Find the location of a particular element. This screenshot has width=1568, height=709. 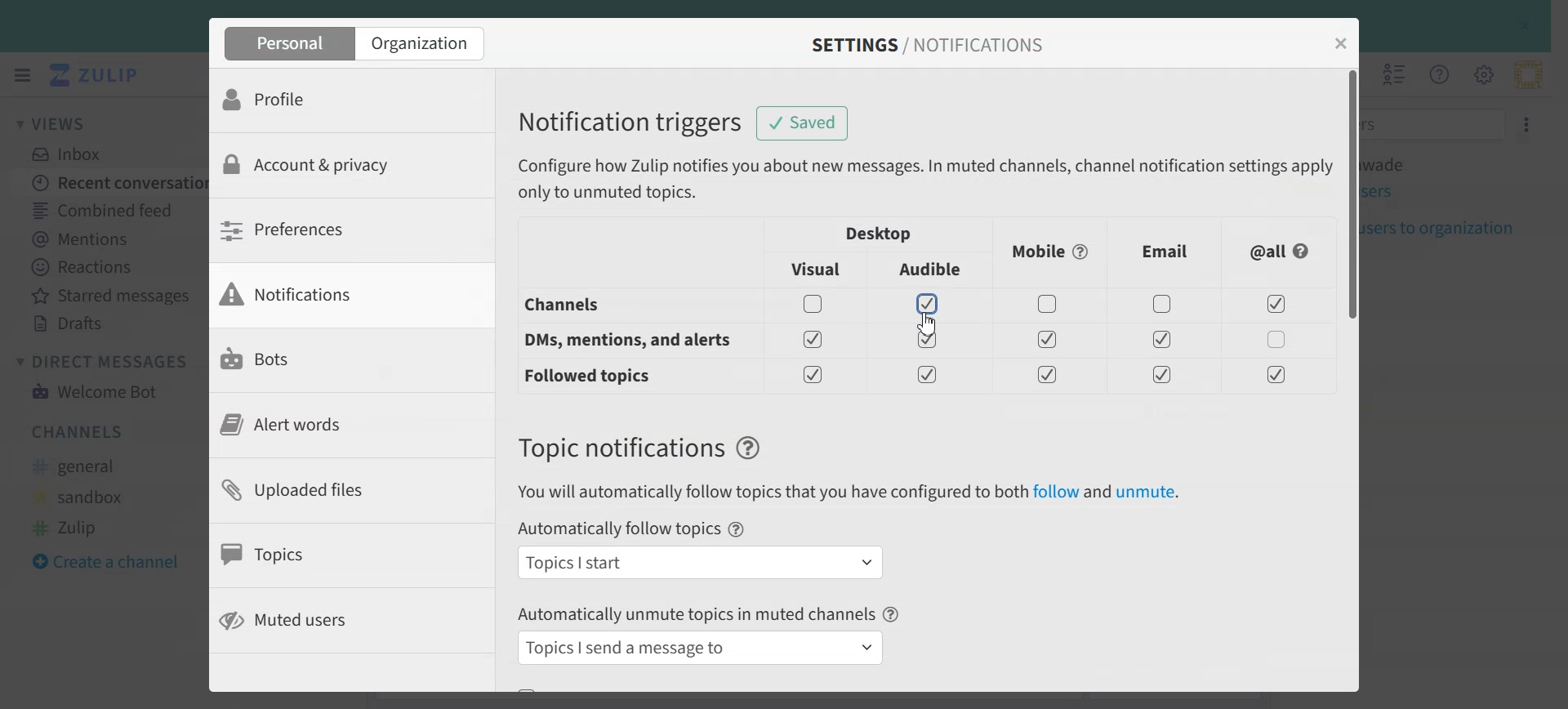

Topics I start is located at coordinates (701, 562).